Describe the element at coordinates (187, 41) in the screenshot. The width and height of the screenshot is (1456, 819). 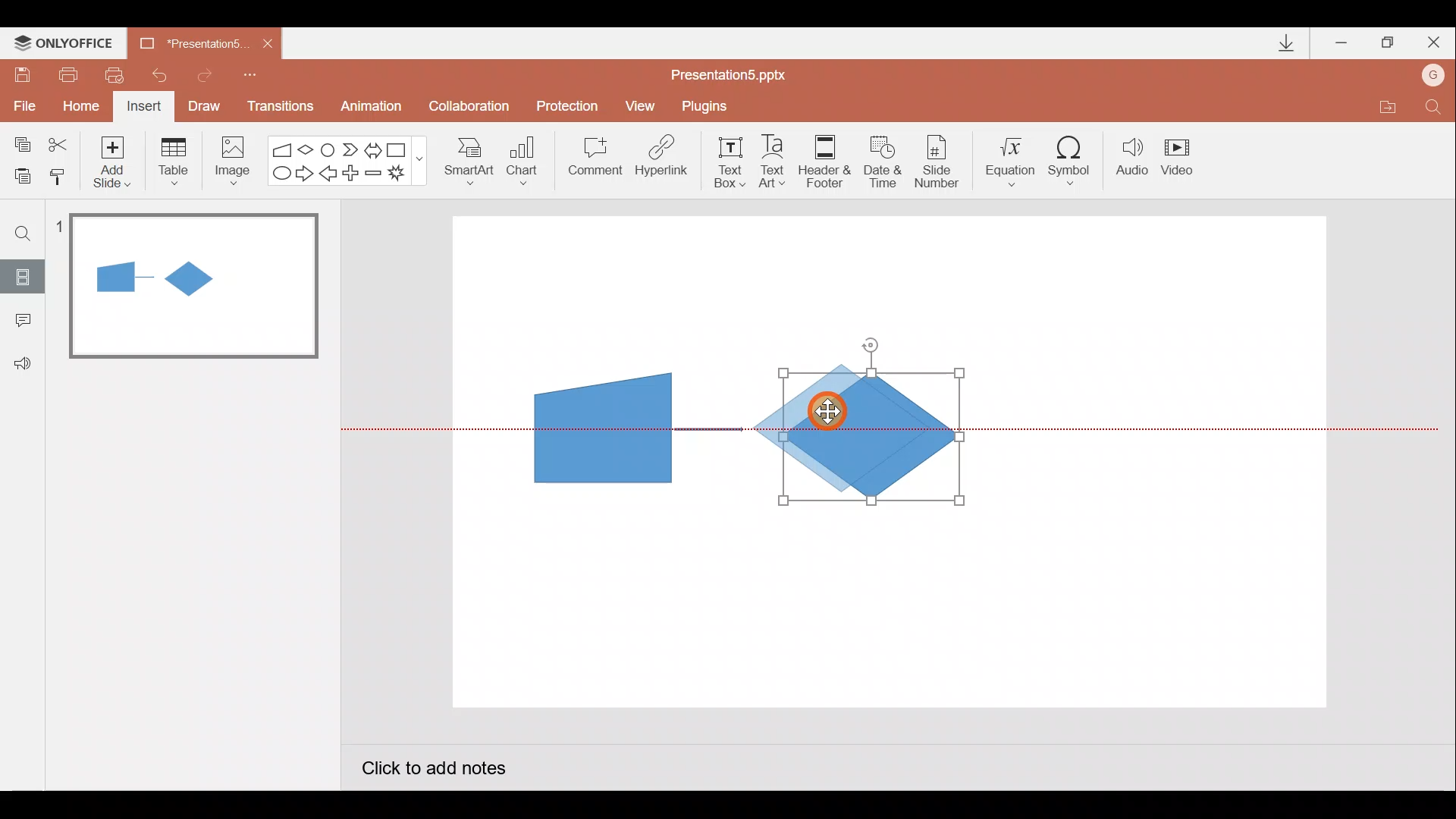
I see `Presentation5.` at that location.